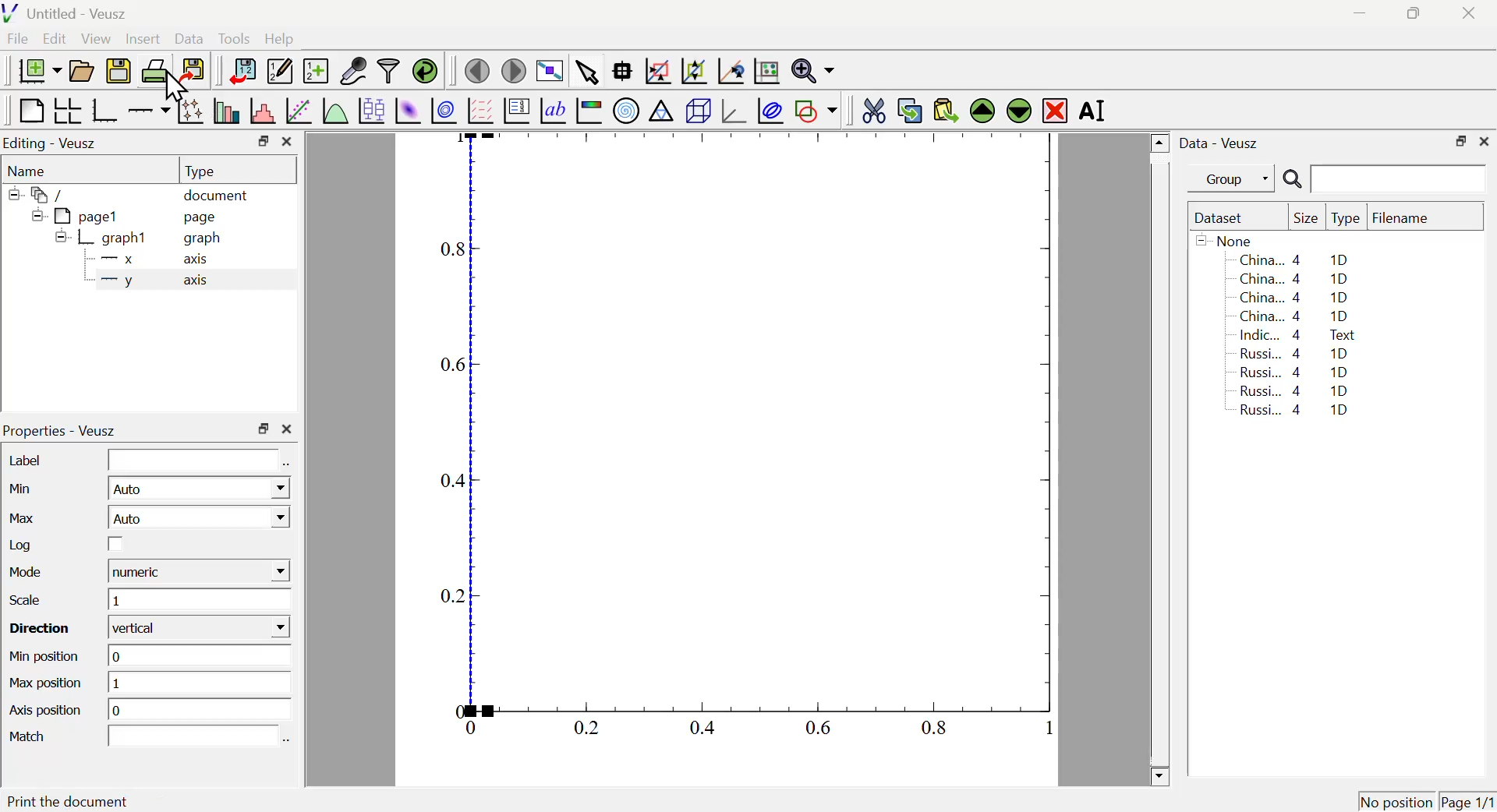  Describe the element at coordinates (47, 657) in the screenshot. I see `Min position` at that location.